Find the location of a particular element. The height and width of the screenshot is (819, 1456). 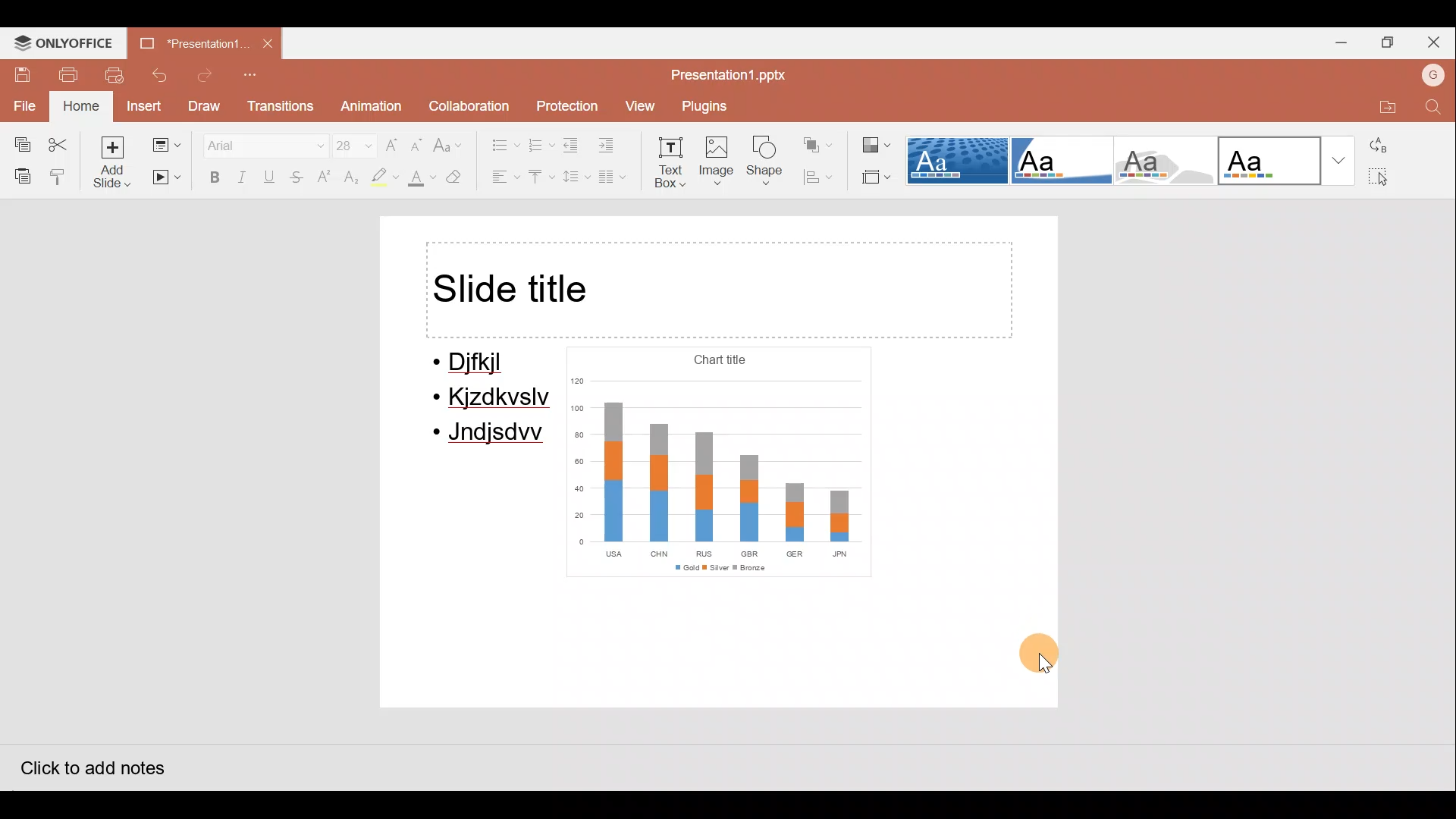

Office theme is located at coordinates (1288, 161).